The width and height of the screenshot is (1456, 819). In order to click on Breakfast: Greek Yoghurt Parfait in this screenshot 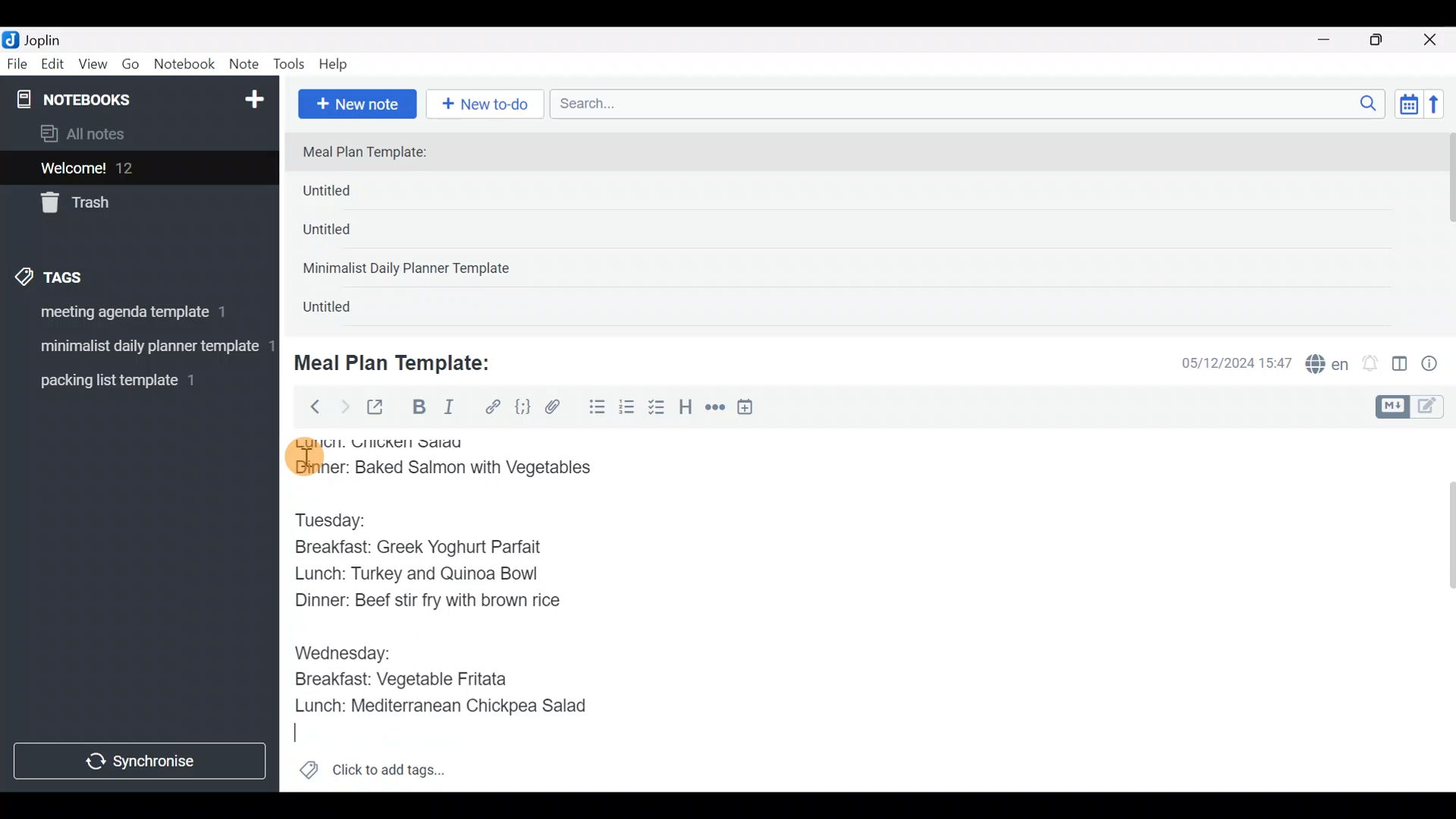, I will do `click(428, 549)`.